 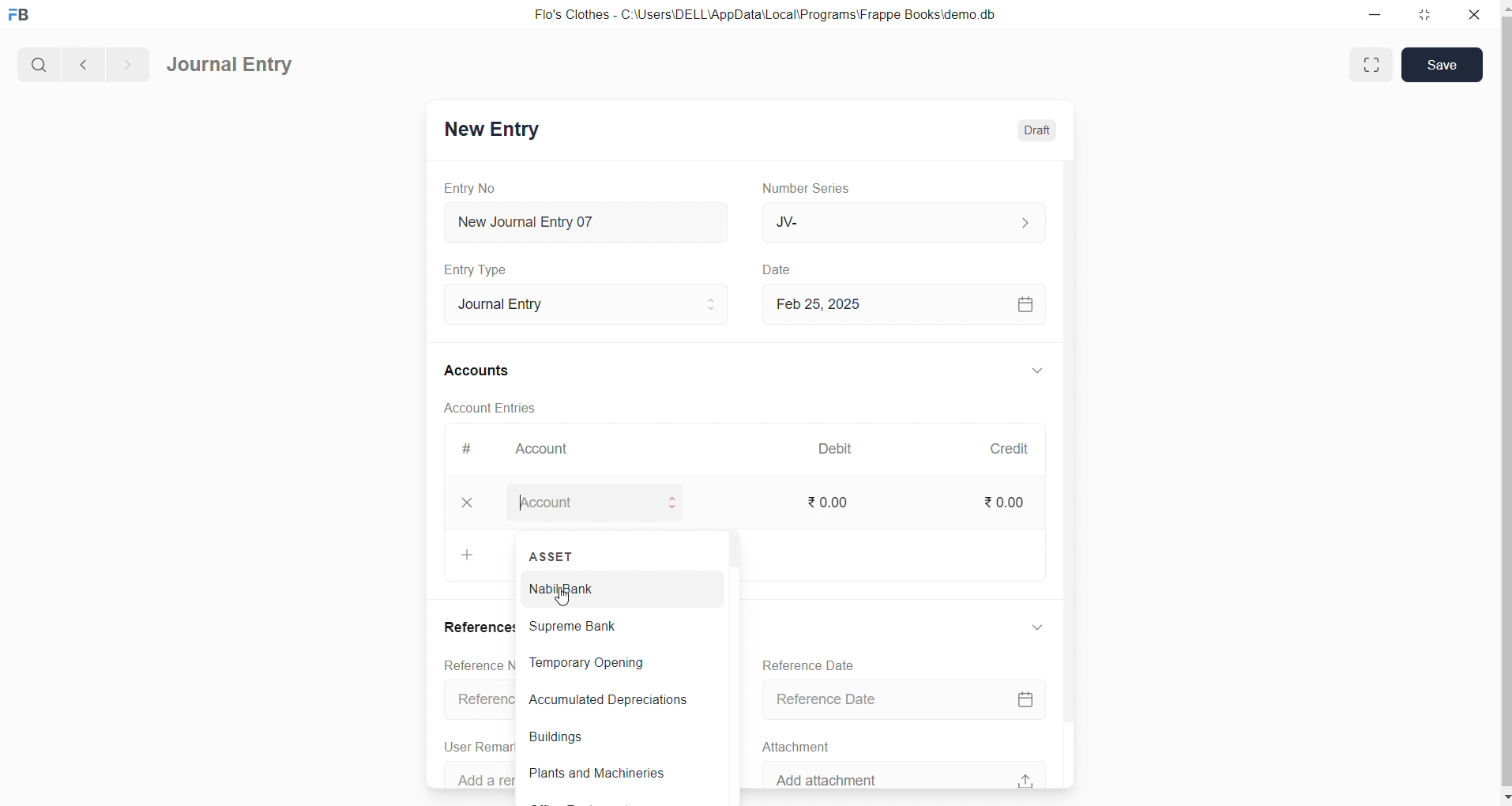 What do you see at coordinates (1503, 401) in the screenshot?
I see `vertical scroll bar` at bounding box center [1503, 401].